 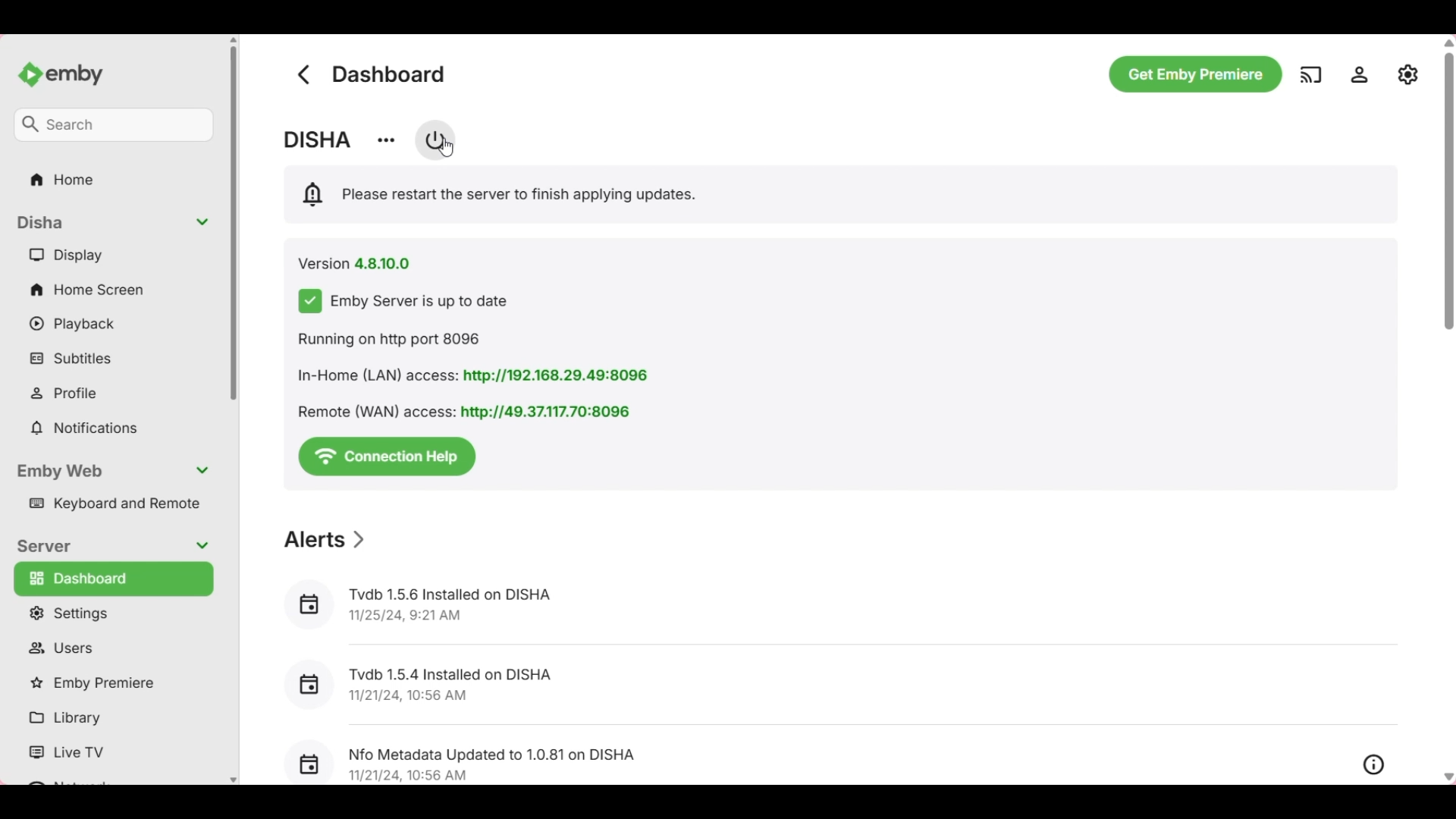 I want to click on Users, so click(x=113, y=648).